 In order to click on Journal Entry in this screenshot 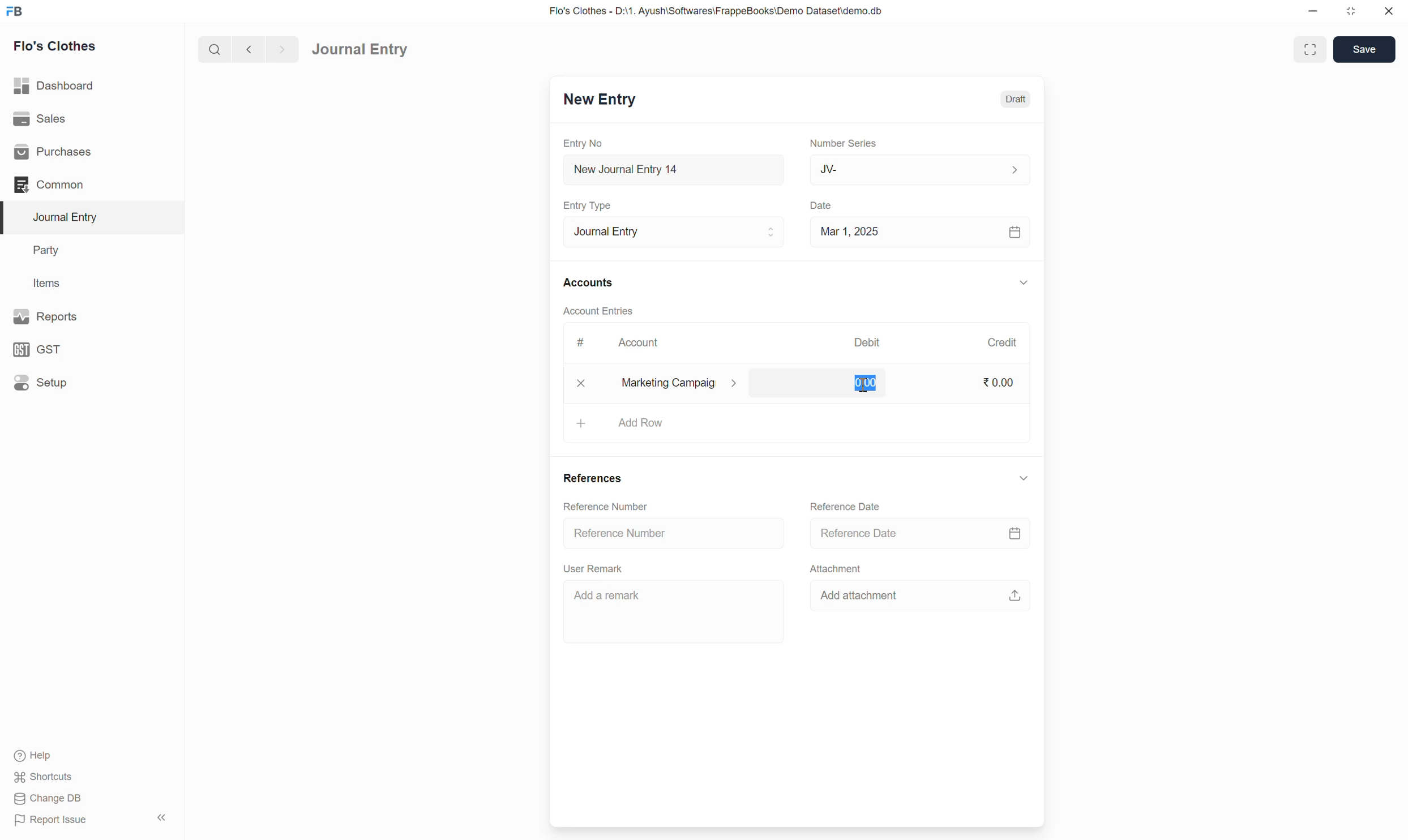, I will do `click(674, 231)`.